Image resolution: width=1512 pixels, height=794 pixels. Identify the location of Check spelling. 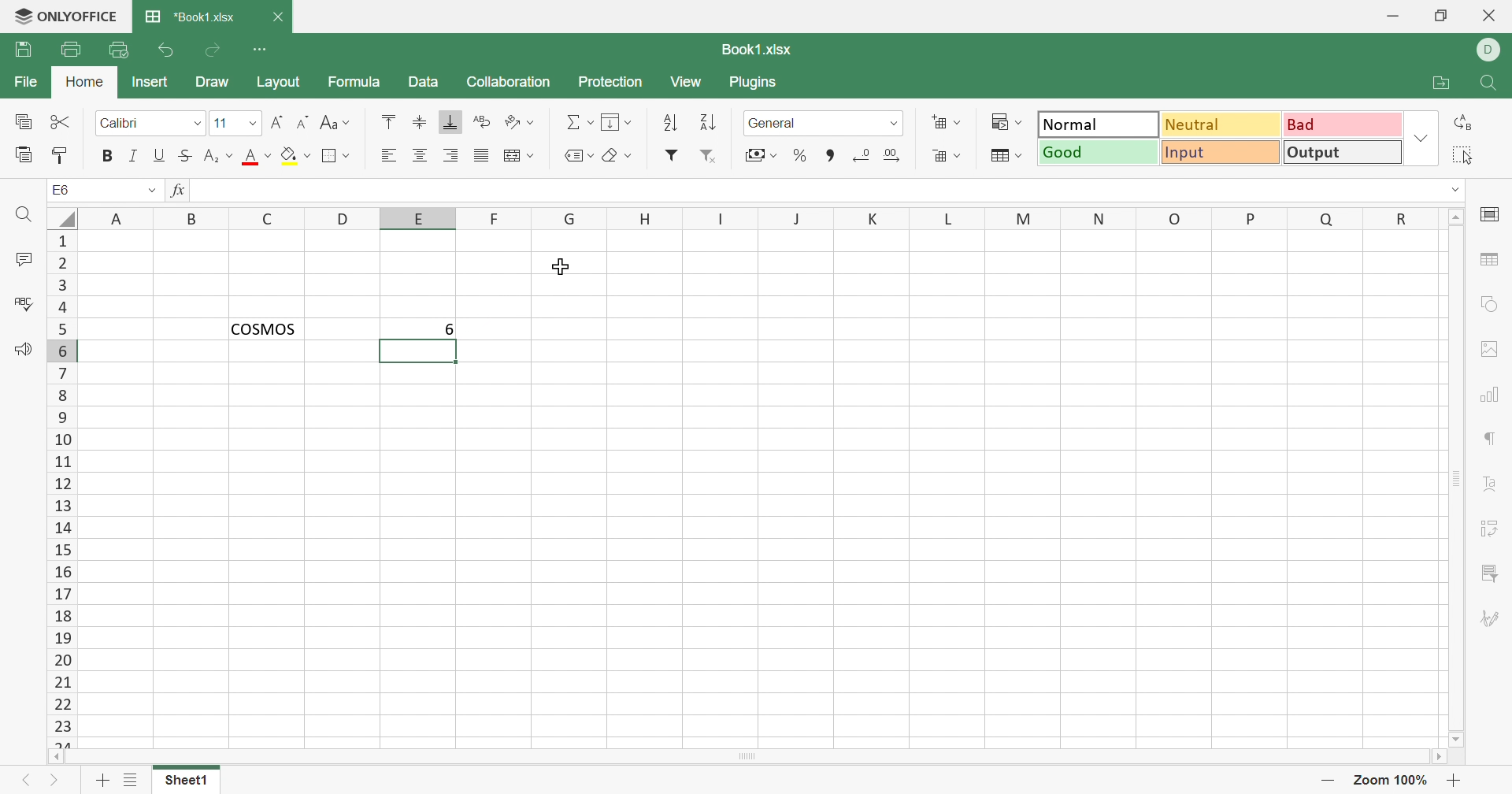
(20, 302).